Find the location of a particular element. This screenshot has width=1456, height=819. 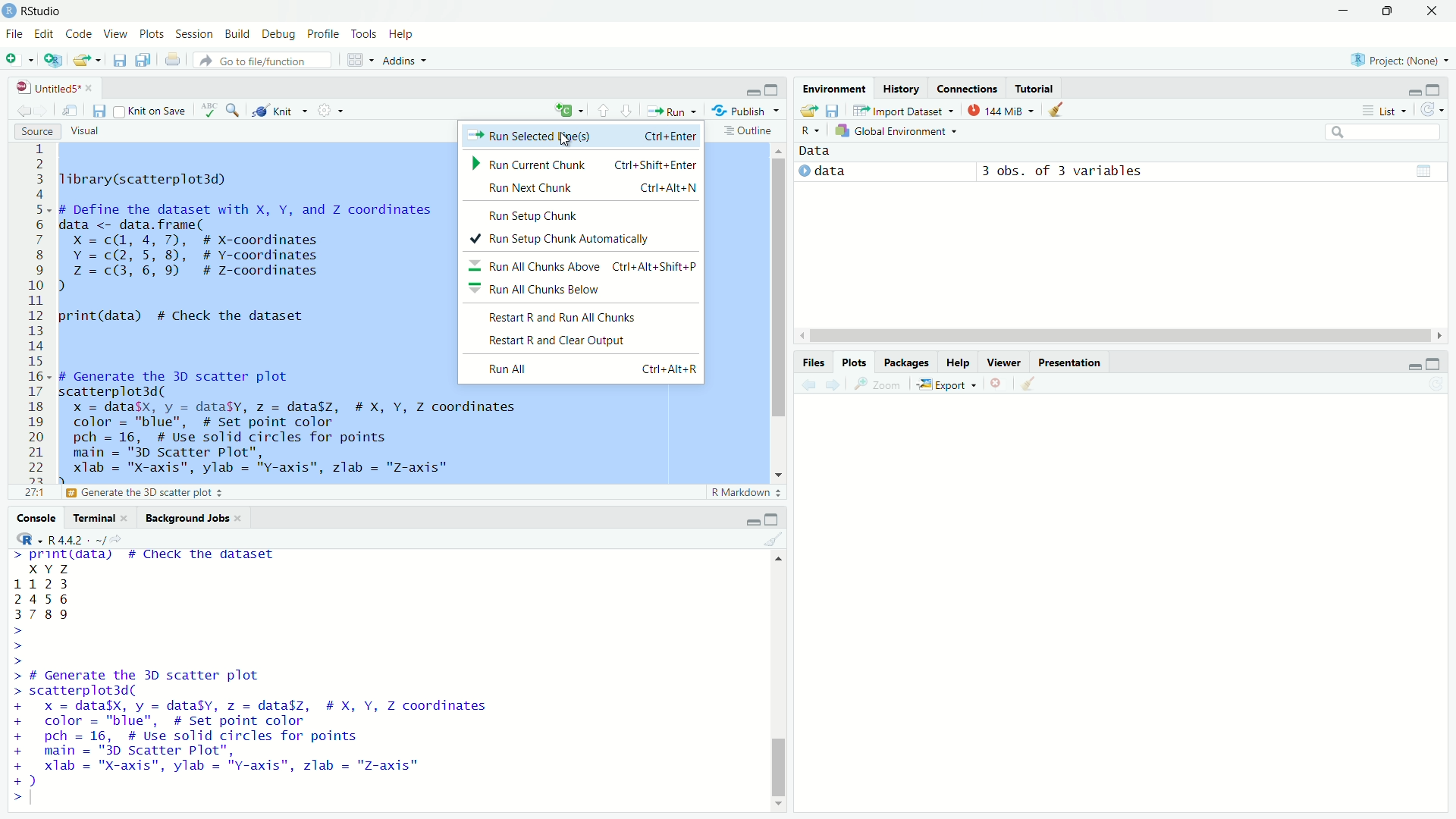

insert a new code chunk is located at coordinates (571, 111).